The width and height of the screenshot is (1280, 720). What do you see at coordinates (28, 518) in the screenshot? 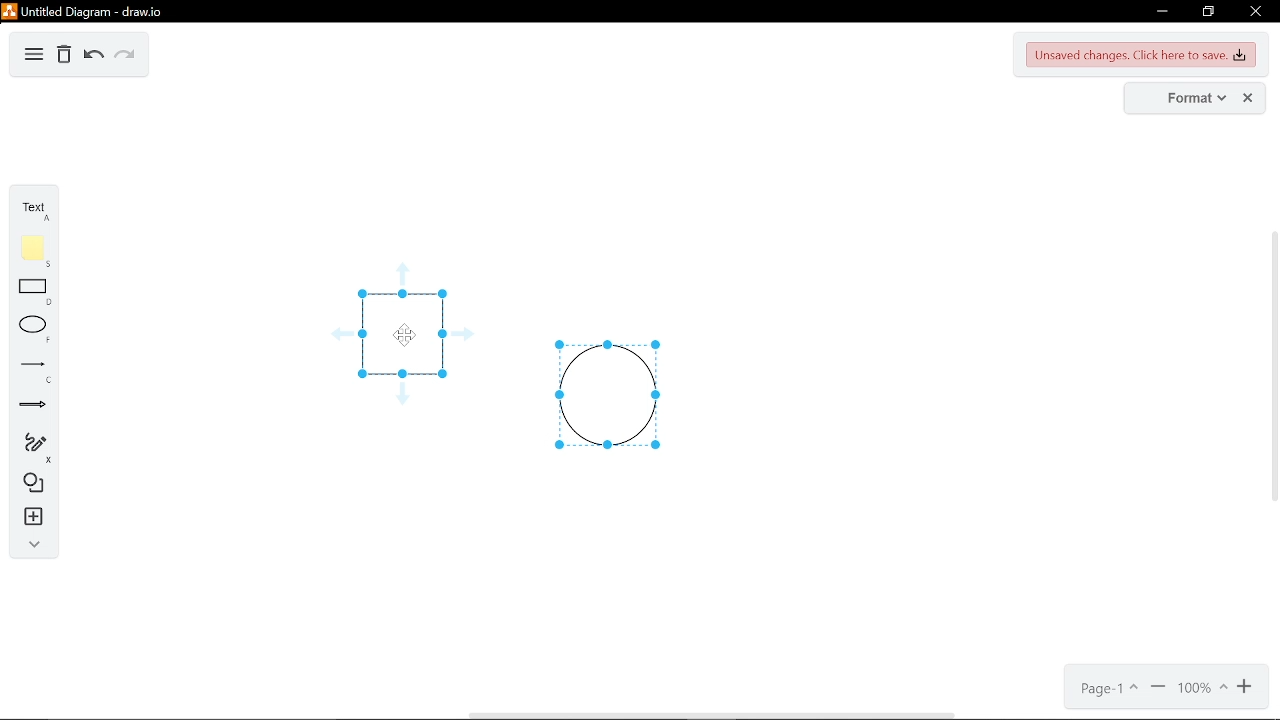
I see `insert` at bounding box center [28, 518].